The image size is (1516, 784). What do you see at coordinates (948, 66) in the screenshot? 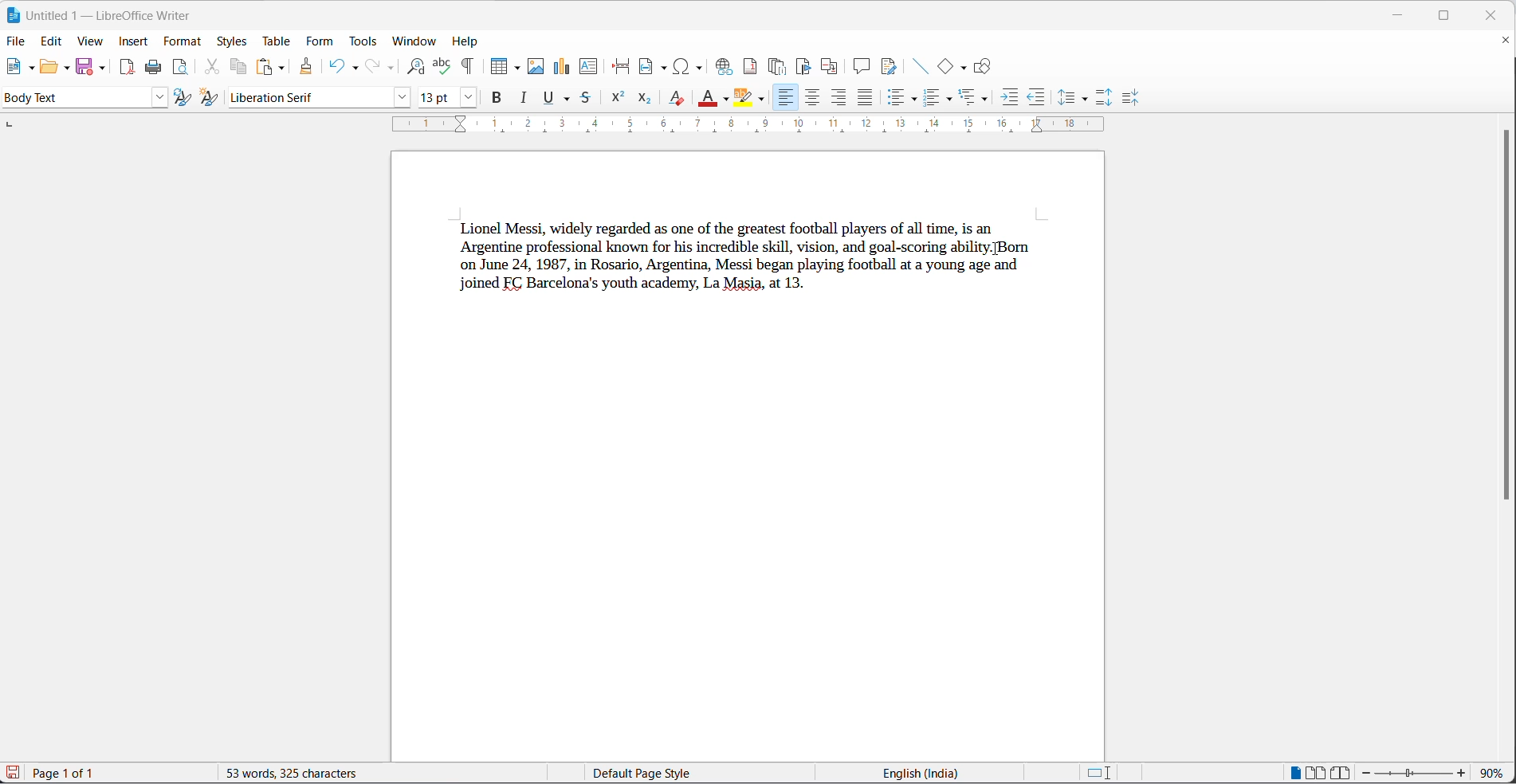
I see `basic shapes` at bounding box center [948, 66].